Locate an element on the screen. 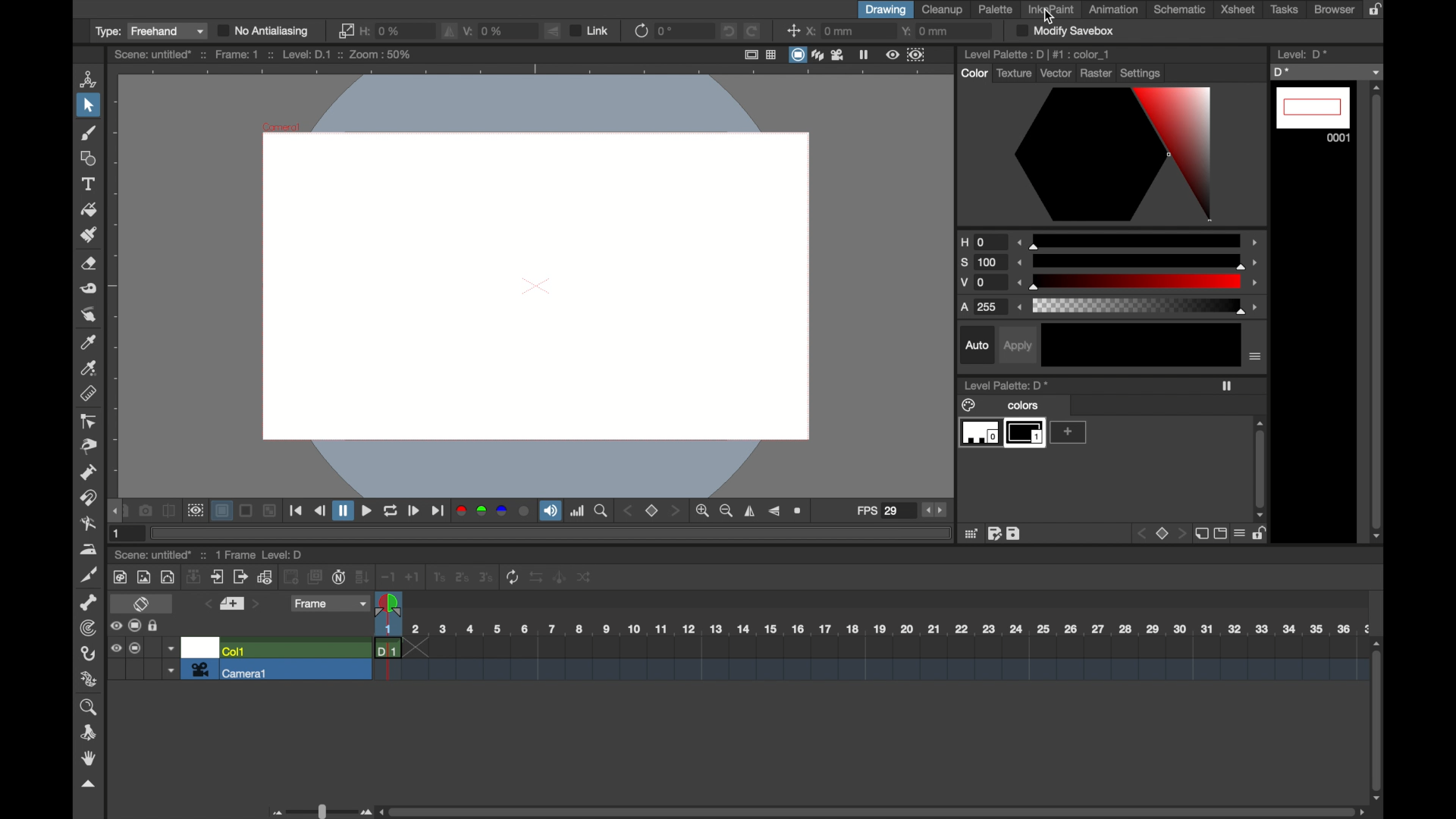  scroll box is located at coordinates (874, 811).